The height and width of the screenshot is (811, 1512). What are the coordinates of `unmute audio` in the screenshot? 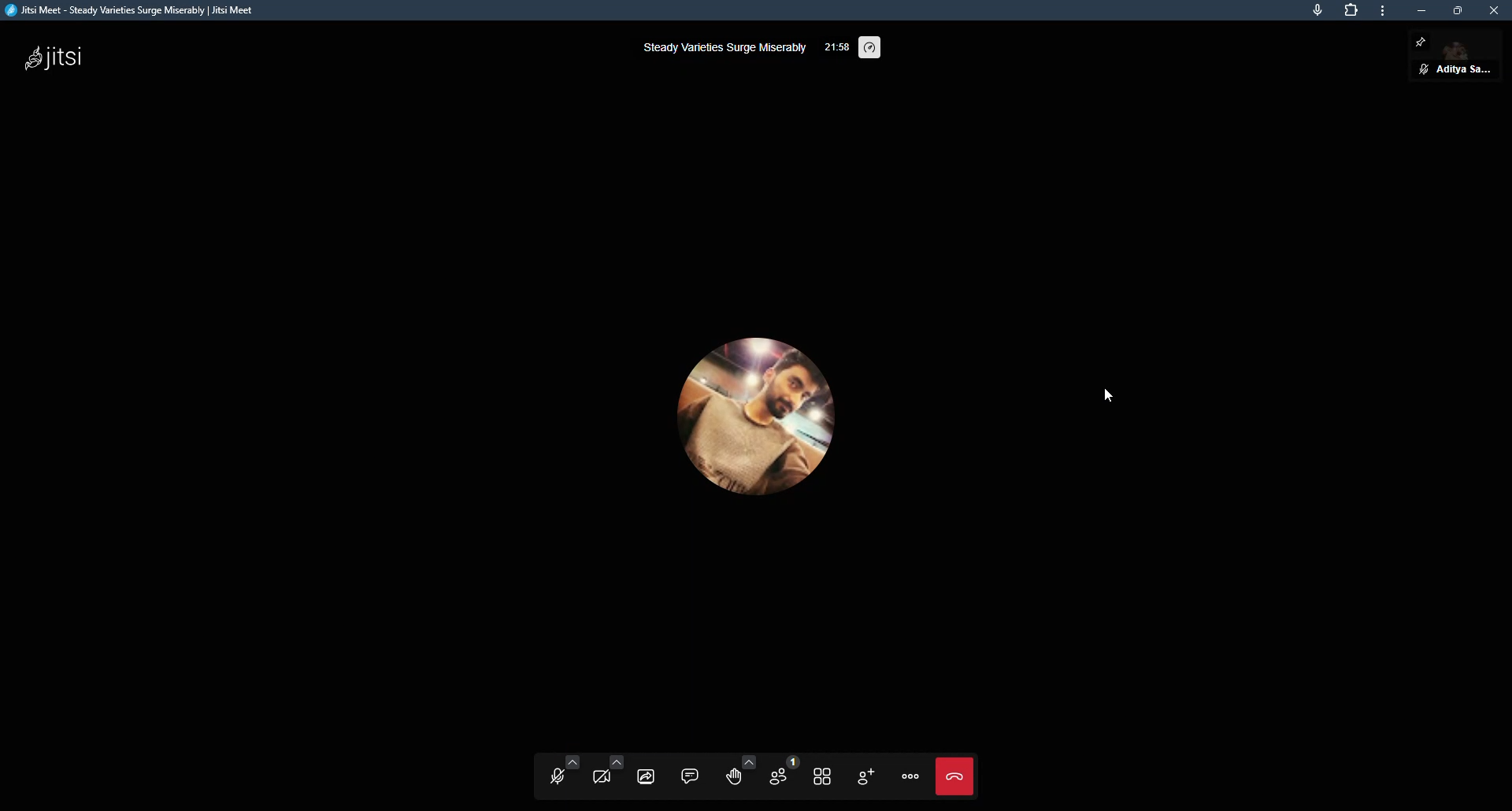 It's located at (563, 771).